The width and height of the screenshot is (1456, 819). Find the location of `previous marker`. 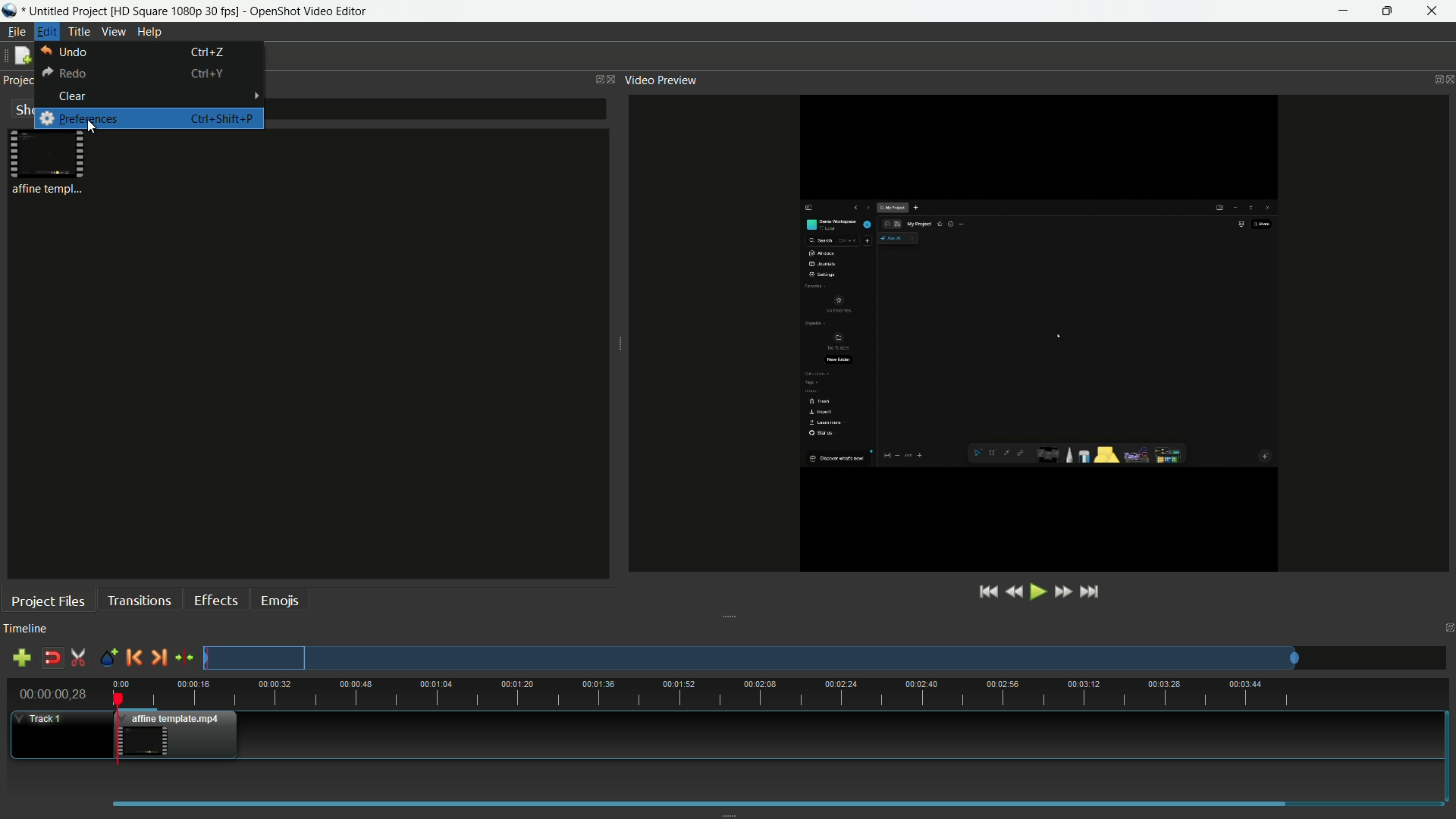

previous marker is located at coordinates (133, 657).